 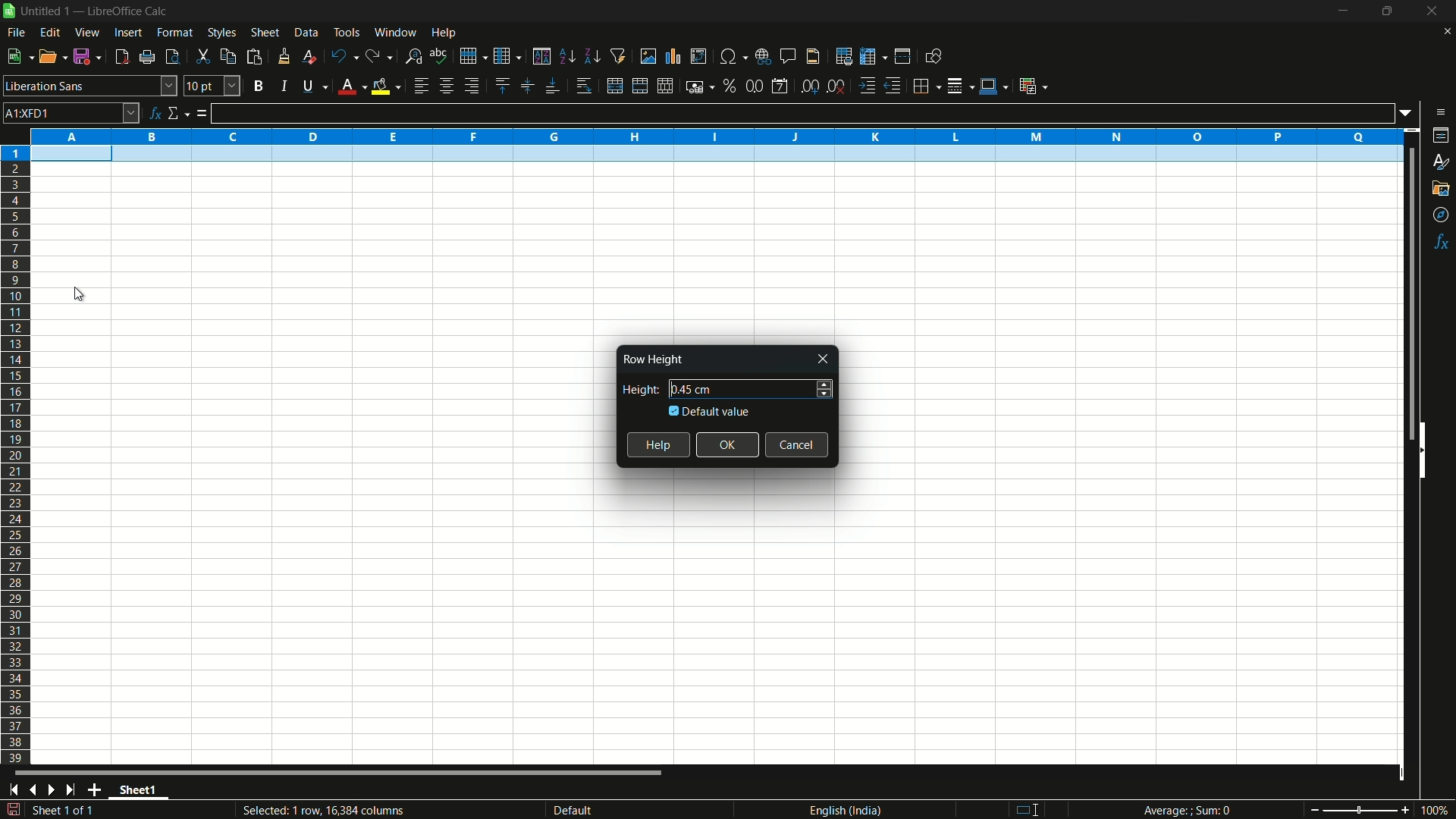 I want to click on format as number, so click(x=754, y=86).